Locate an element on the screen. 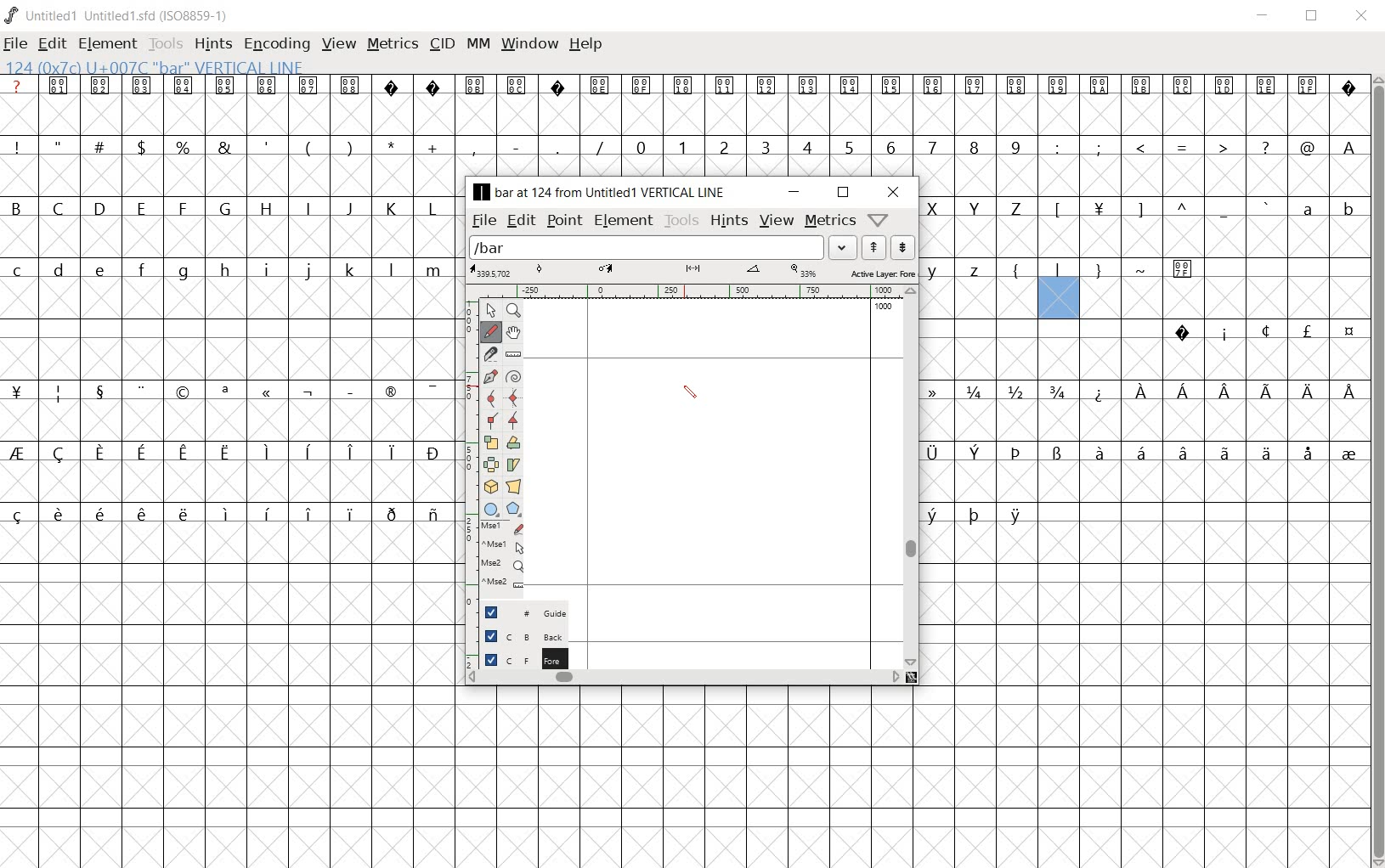 The width and height of the screenshot is (1385, 868). cid is located at coordinates (442, 44).